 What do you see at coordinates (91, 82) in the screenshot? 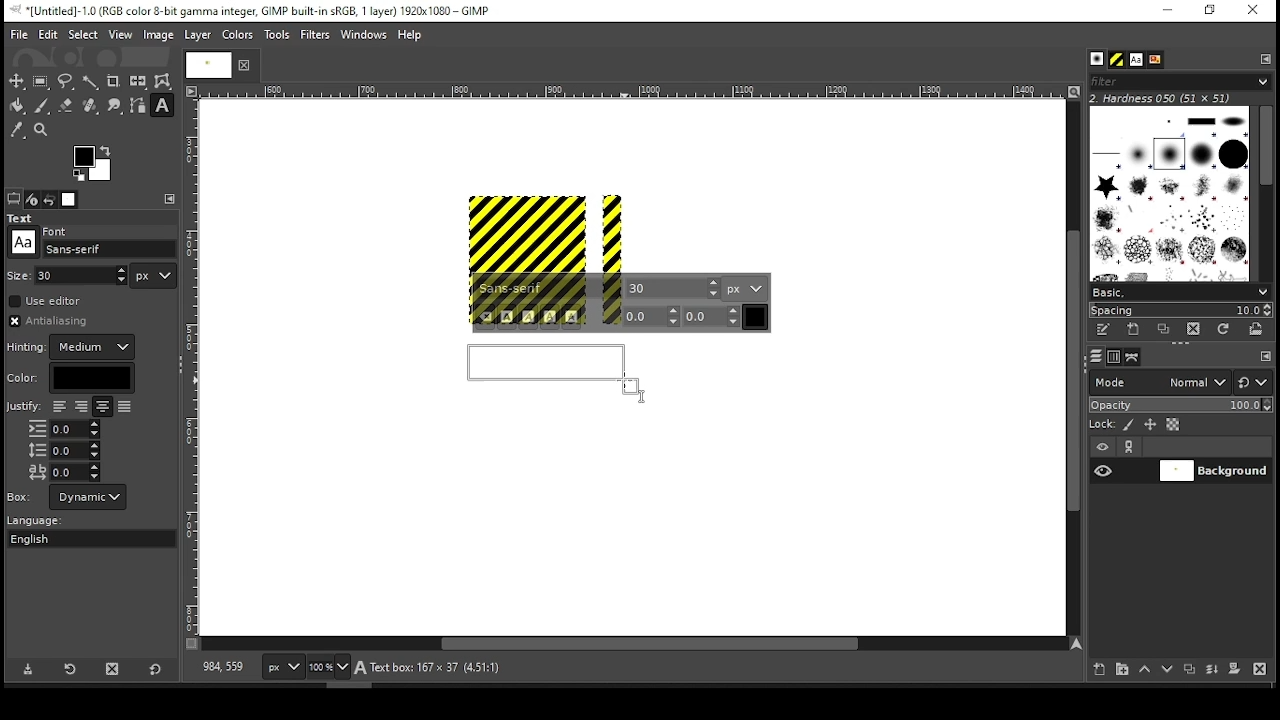
I see `fuzzy selection tool` at bounding box center [91, 82].